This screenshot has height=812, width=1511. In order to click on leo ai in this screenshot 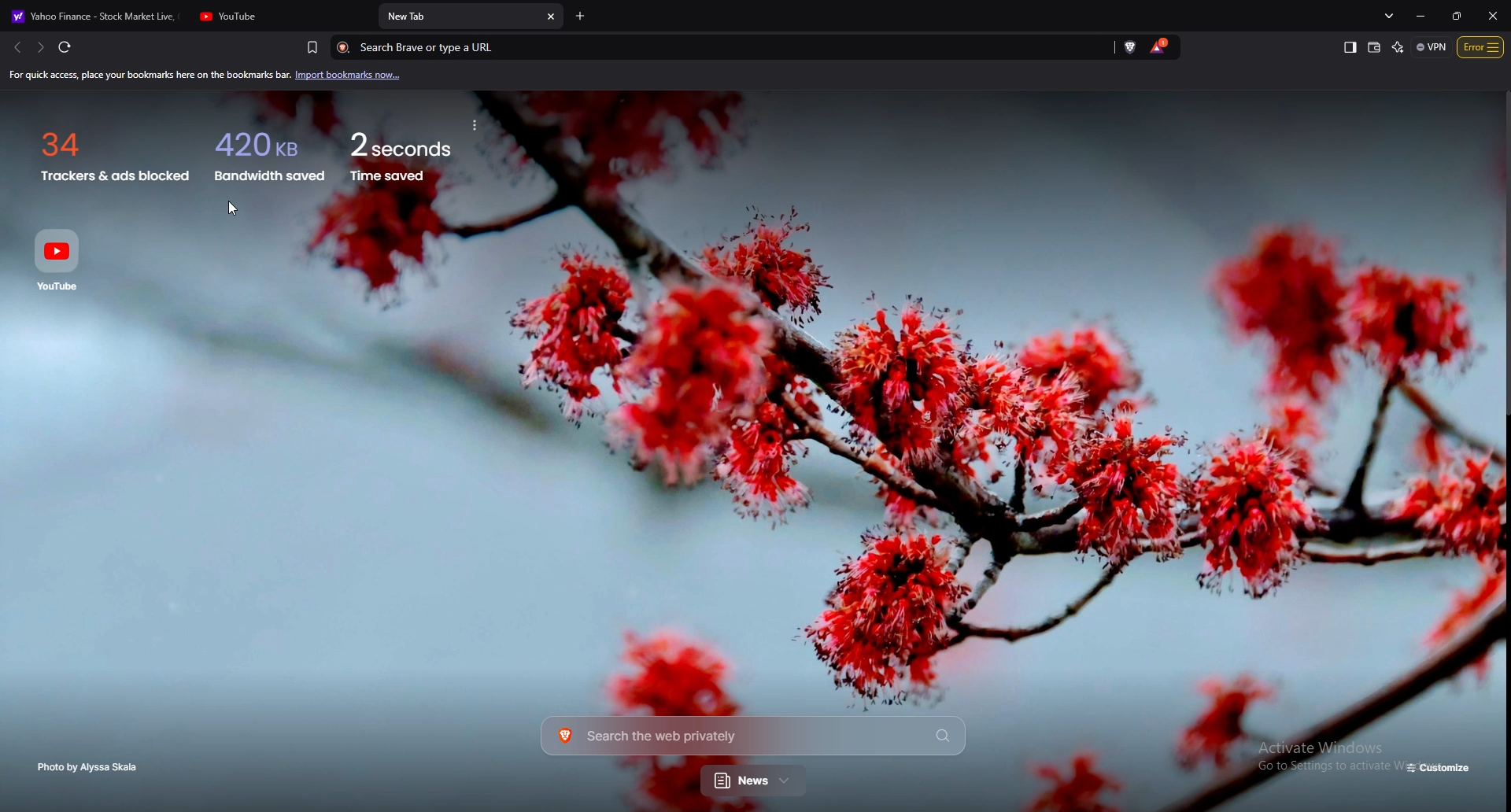, I will do `click(1398, 47)`.